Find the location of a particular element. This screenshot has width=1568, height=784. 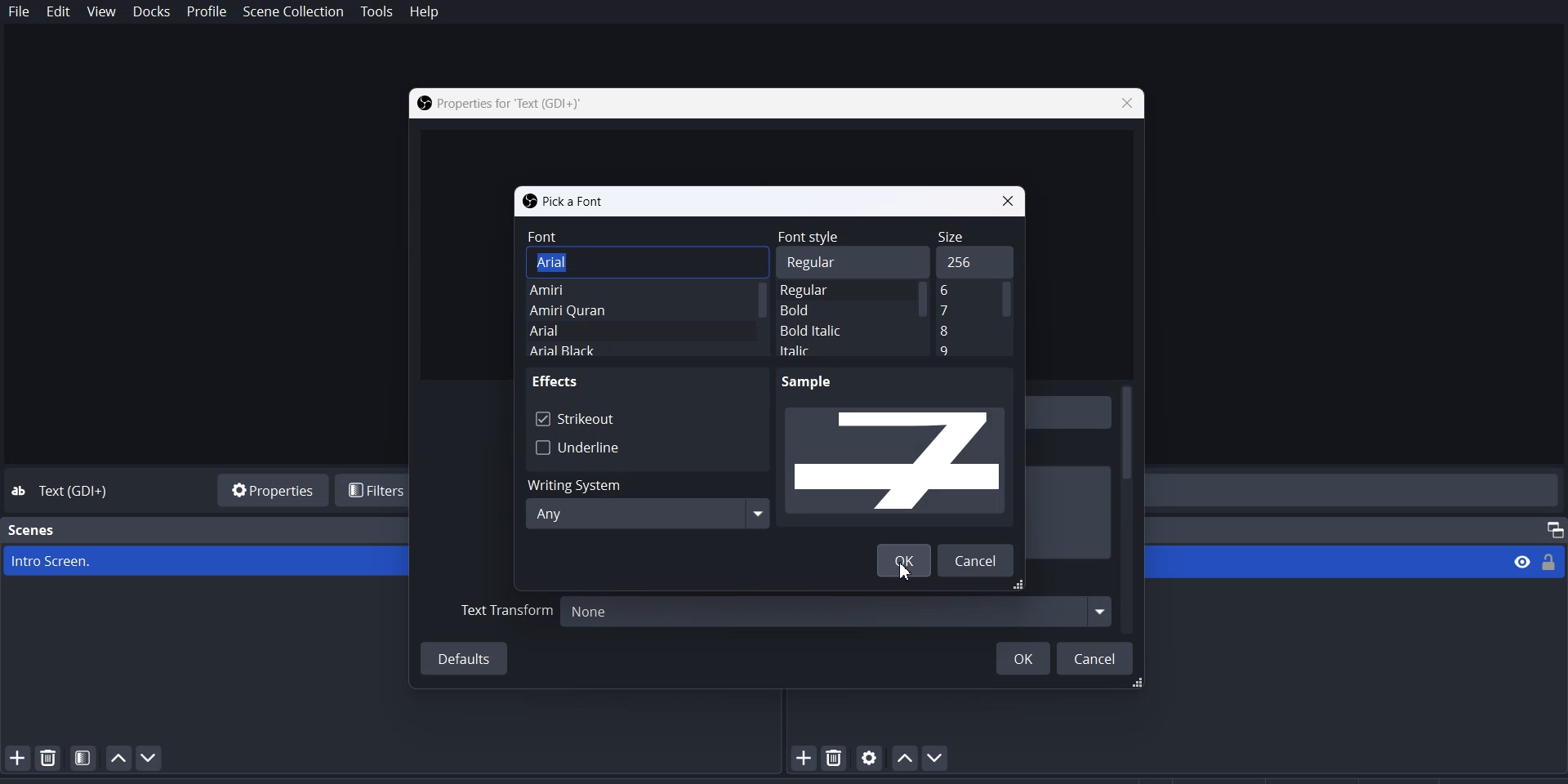

Remove selected Source is located at coordinates (836, 757).